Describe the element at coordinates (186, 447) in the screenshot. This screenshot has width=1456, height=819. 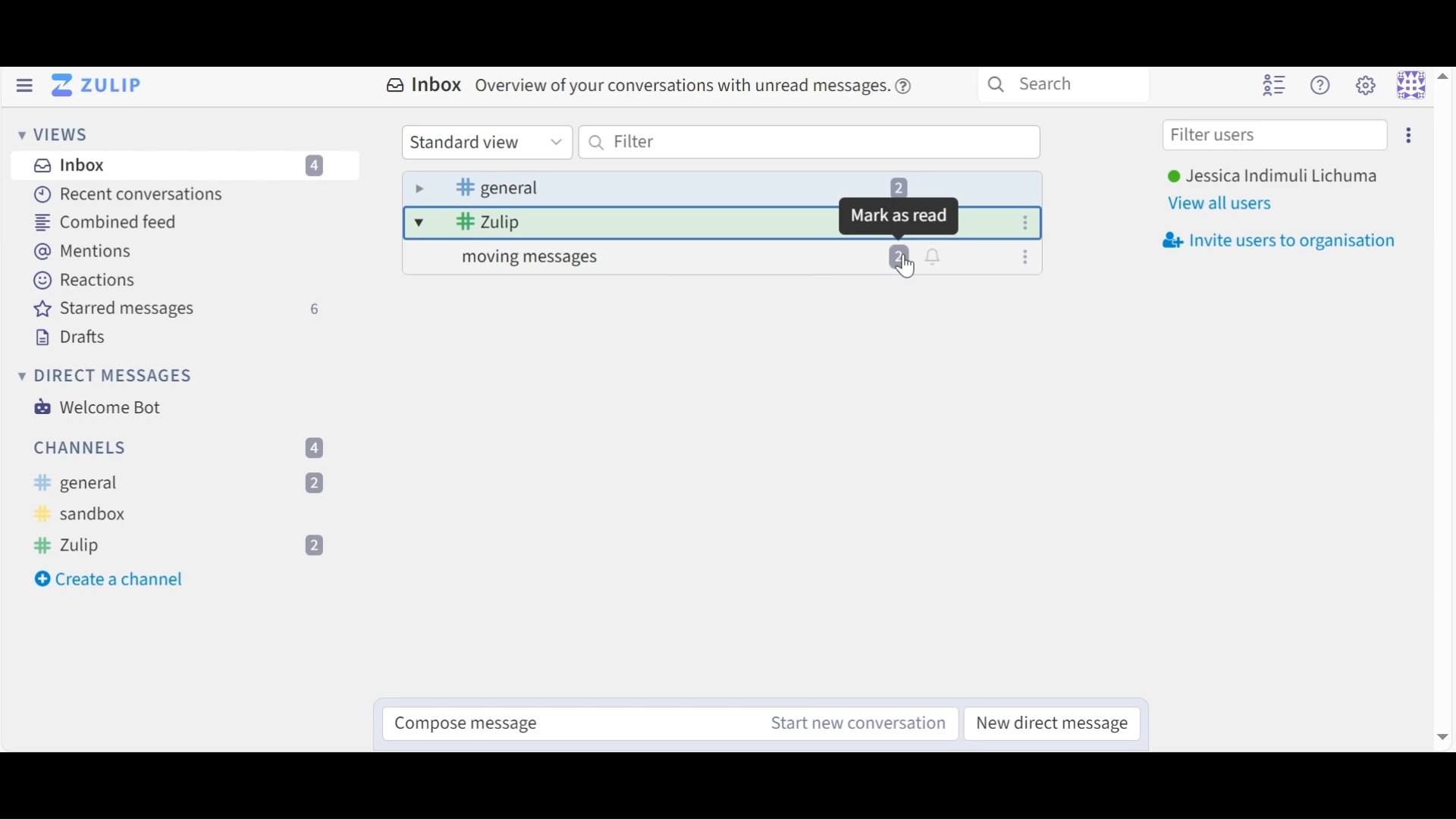
I see `Channes` at that location.